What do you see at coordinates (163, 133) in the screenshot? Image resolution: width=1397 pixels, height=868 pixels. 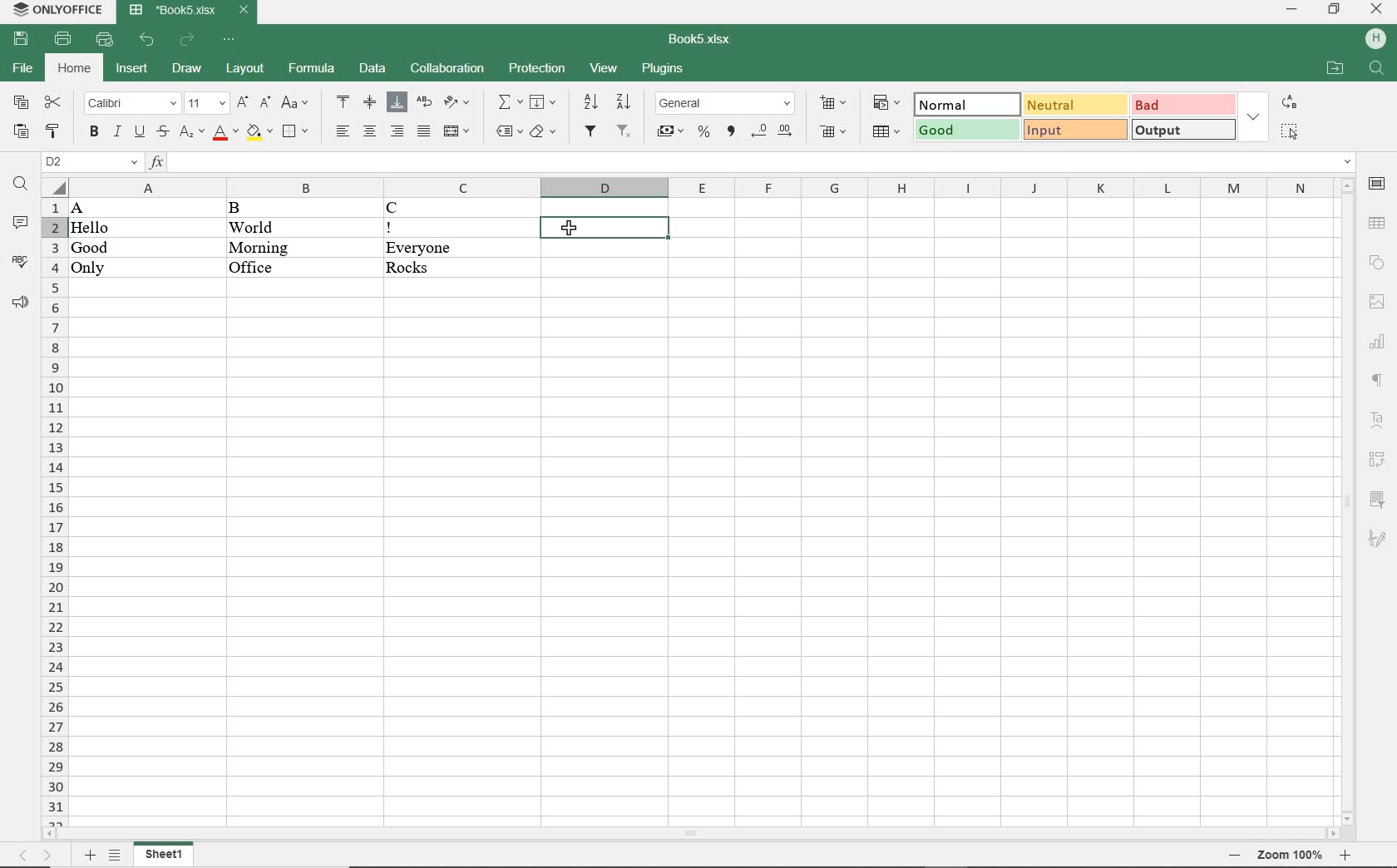 I see `STRIKETHROUGH` at bounding box center [163, 133].